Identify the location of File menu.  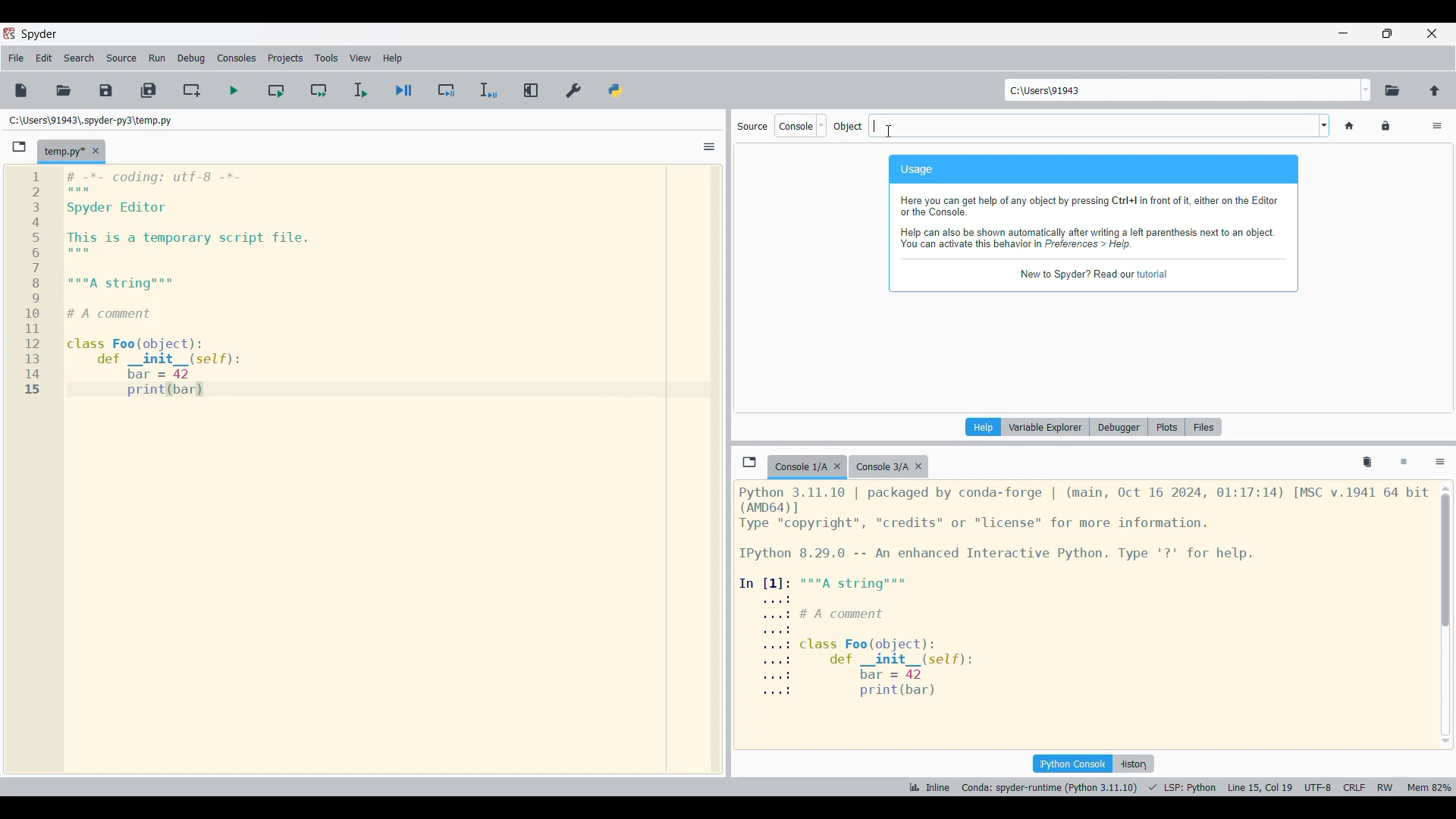
(16, 58).